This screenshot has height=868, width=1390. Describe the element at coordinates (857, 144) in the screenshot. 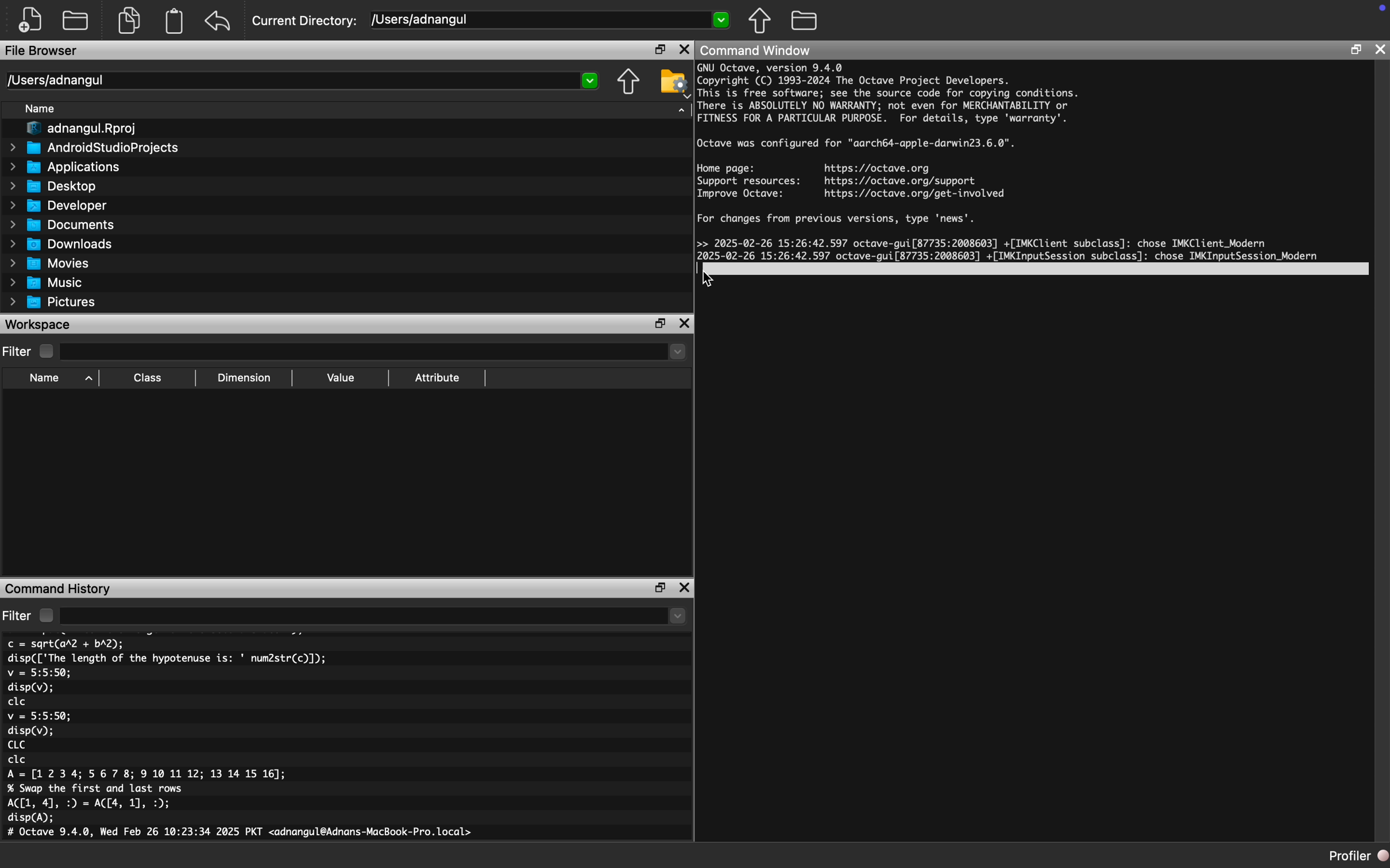

I see `Octave was configured for "aarch64-apple-darwin23.6.0".` at that location.